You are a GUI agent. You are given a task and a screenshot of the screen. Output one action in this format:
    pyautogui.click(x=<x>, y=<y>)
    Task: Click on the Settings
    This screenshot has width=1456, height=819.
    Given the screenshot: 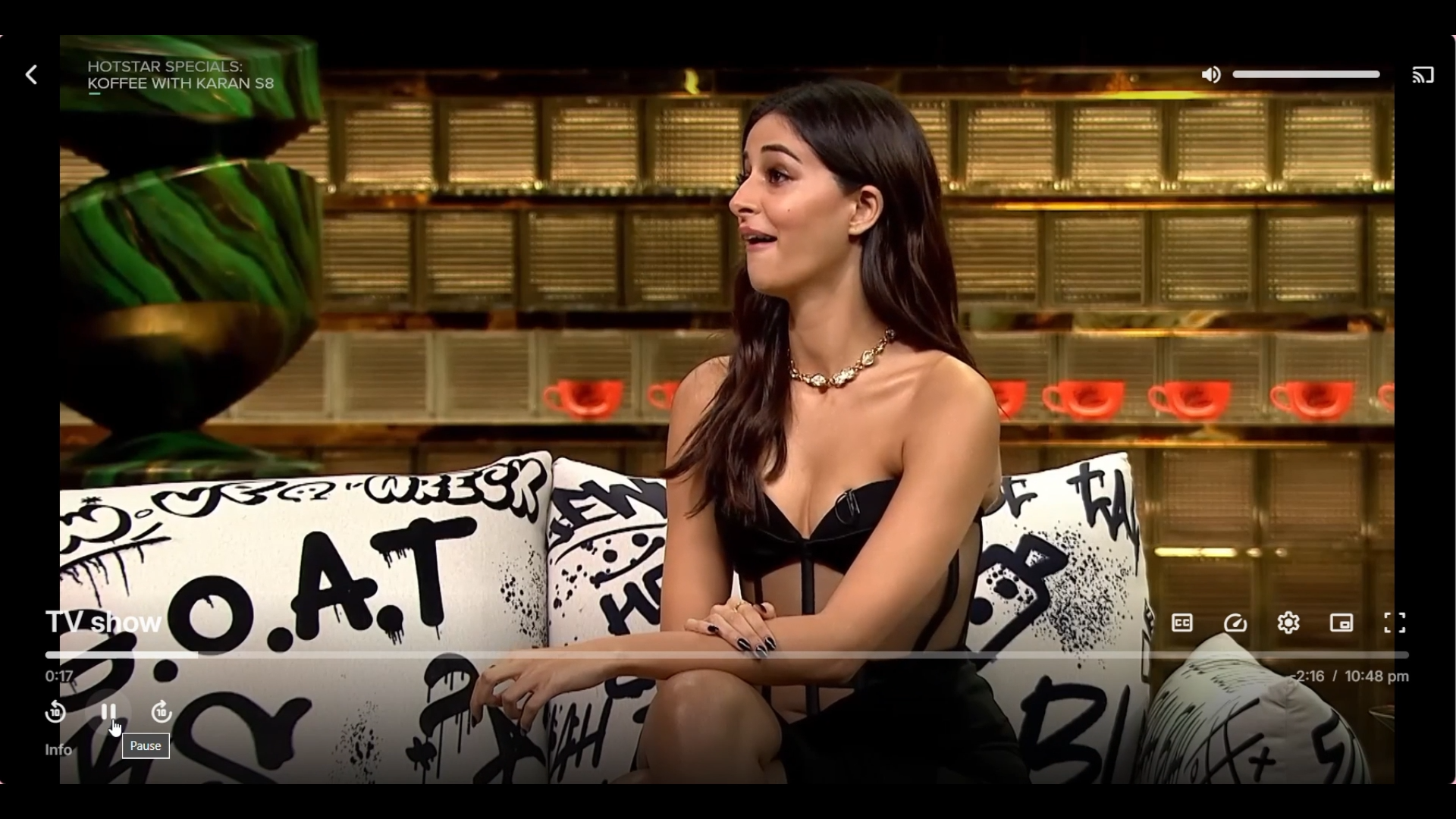 What is the action you would take?
    pyautogui.click(x=1288, y=623)
    